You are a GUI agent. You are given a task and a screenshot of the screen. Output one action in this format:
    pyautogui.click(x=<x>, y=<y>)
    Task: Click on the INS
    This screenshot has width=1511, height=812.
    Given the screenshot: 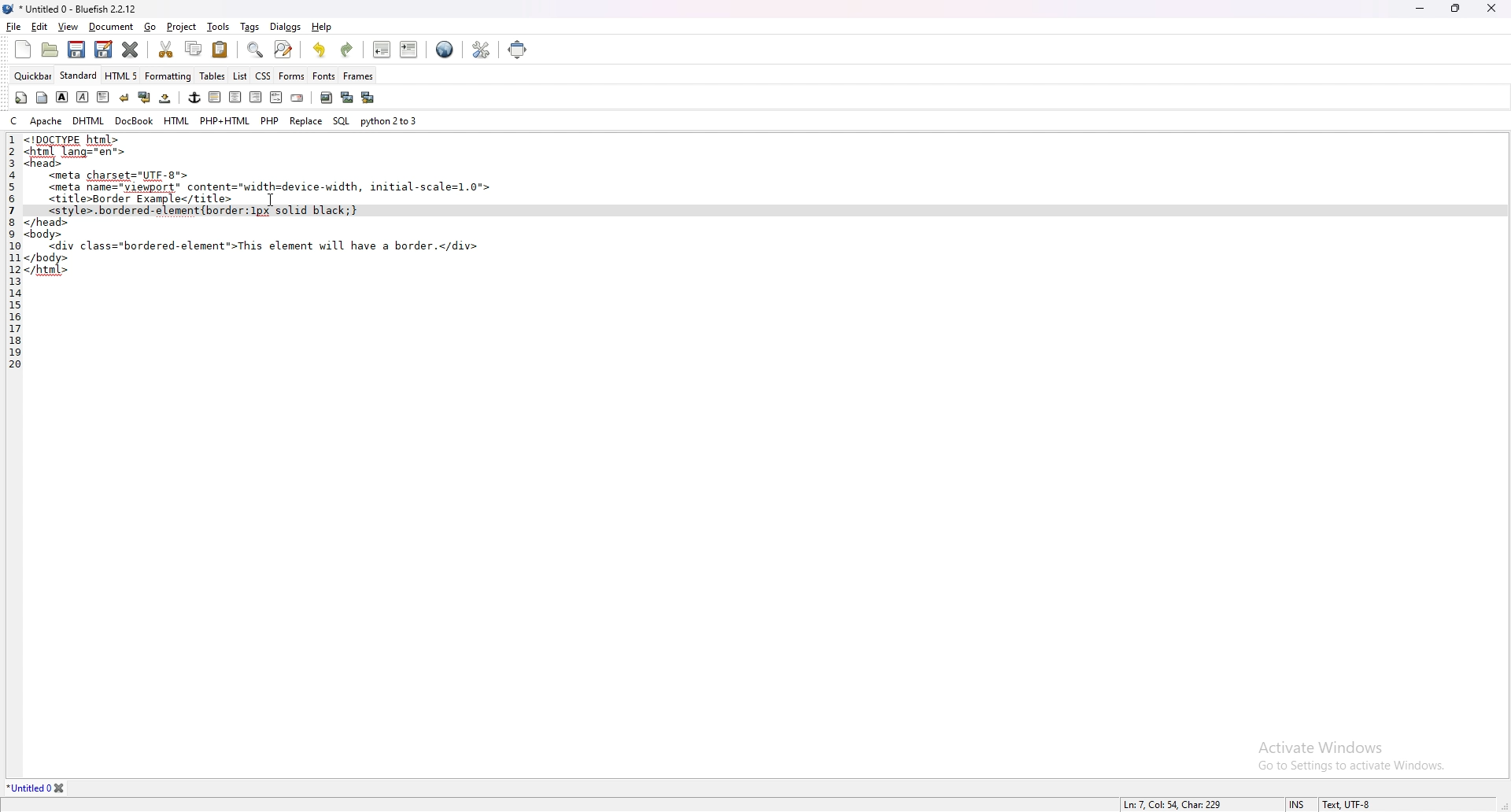 What is the action you would take?
    pyautogui.click(x=1299, y=804)
    